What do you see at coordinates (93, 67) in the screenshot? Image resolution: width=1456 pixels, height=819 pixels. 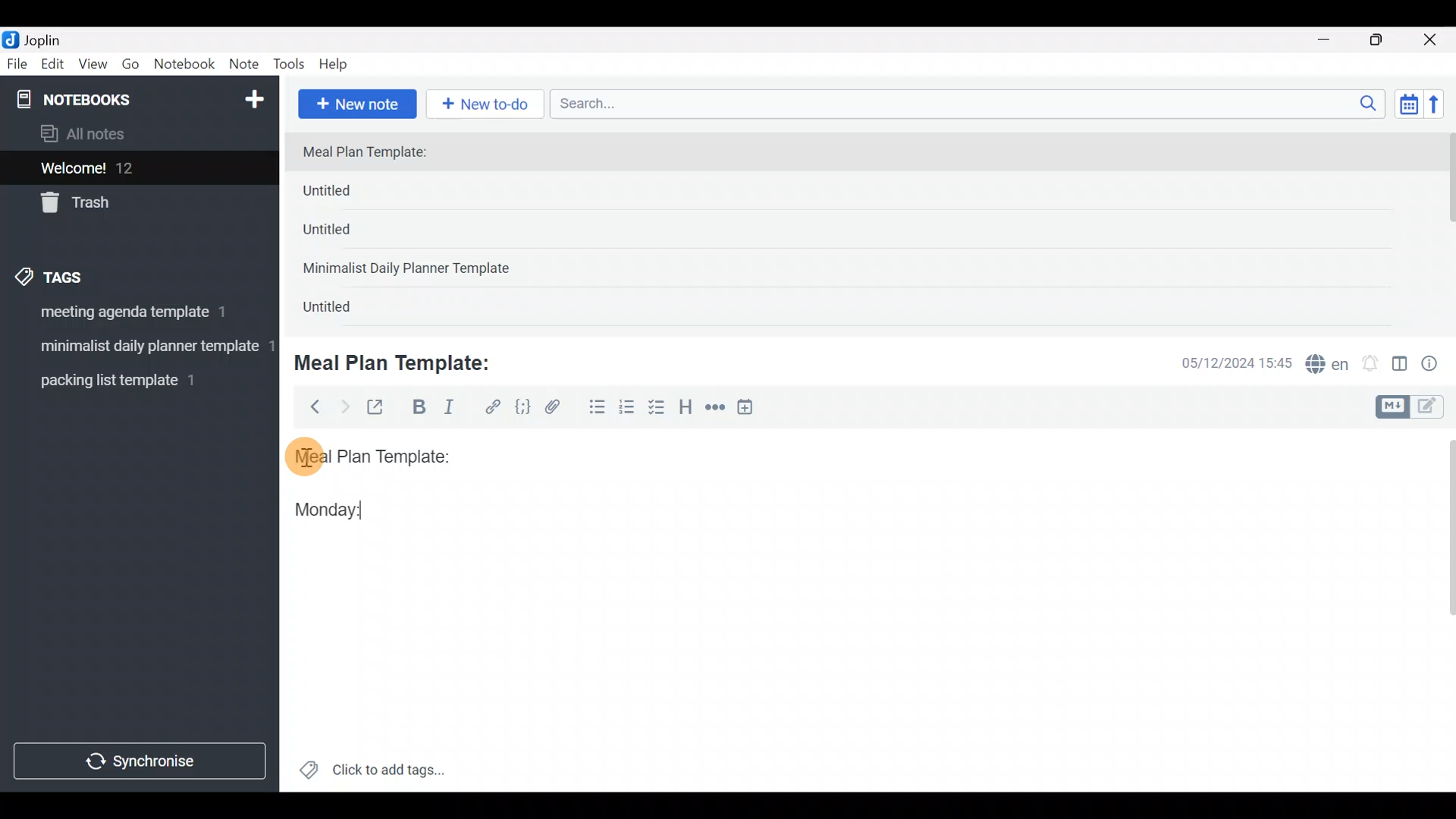 I see `View` at bounding box center [93, 67].